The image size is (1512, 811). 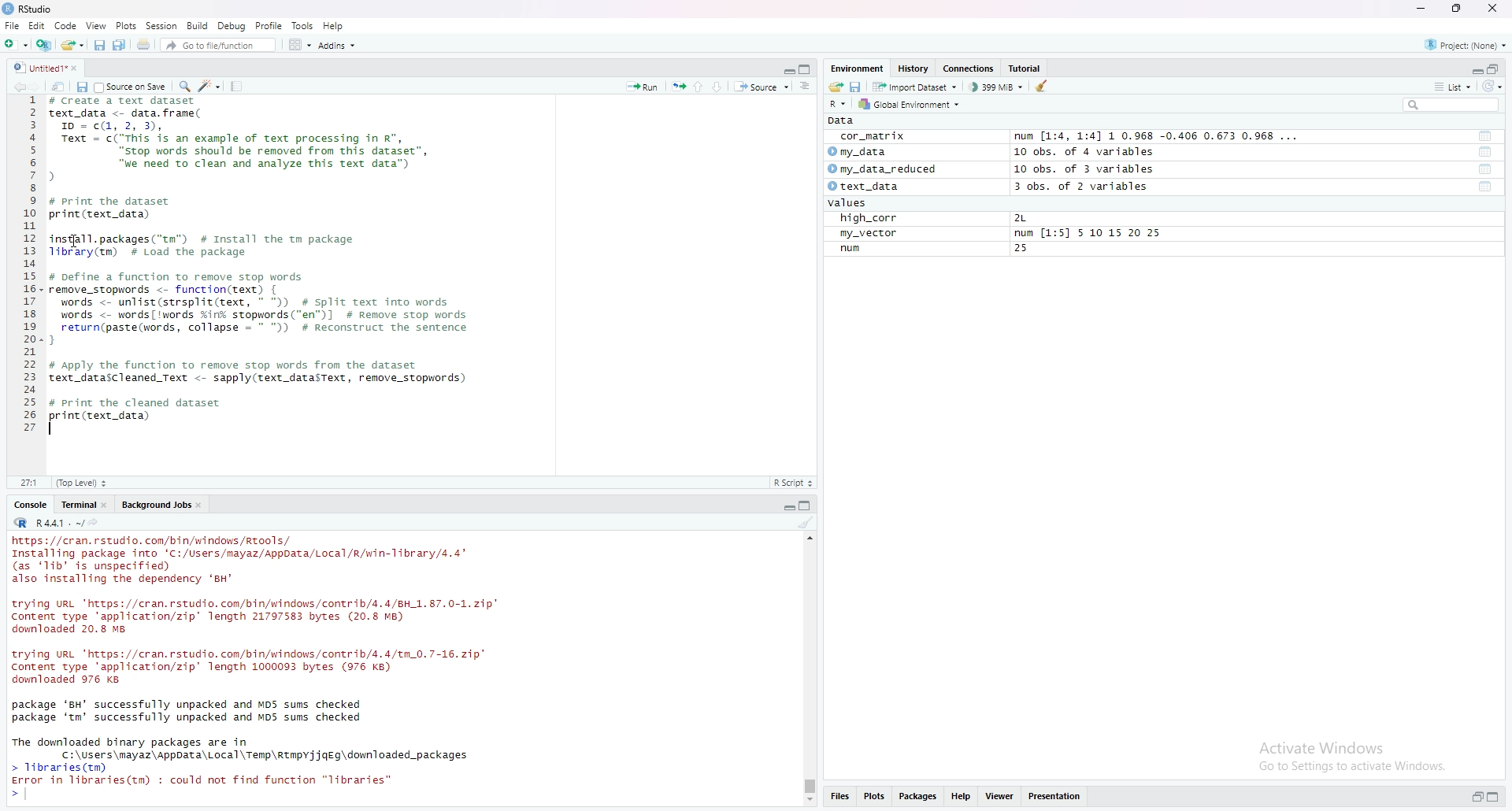 What do you see at coordinates (806, 71) in the screenshot?
I see `collapse` at bounding box center [806, 71].